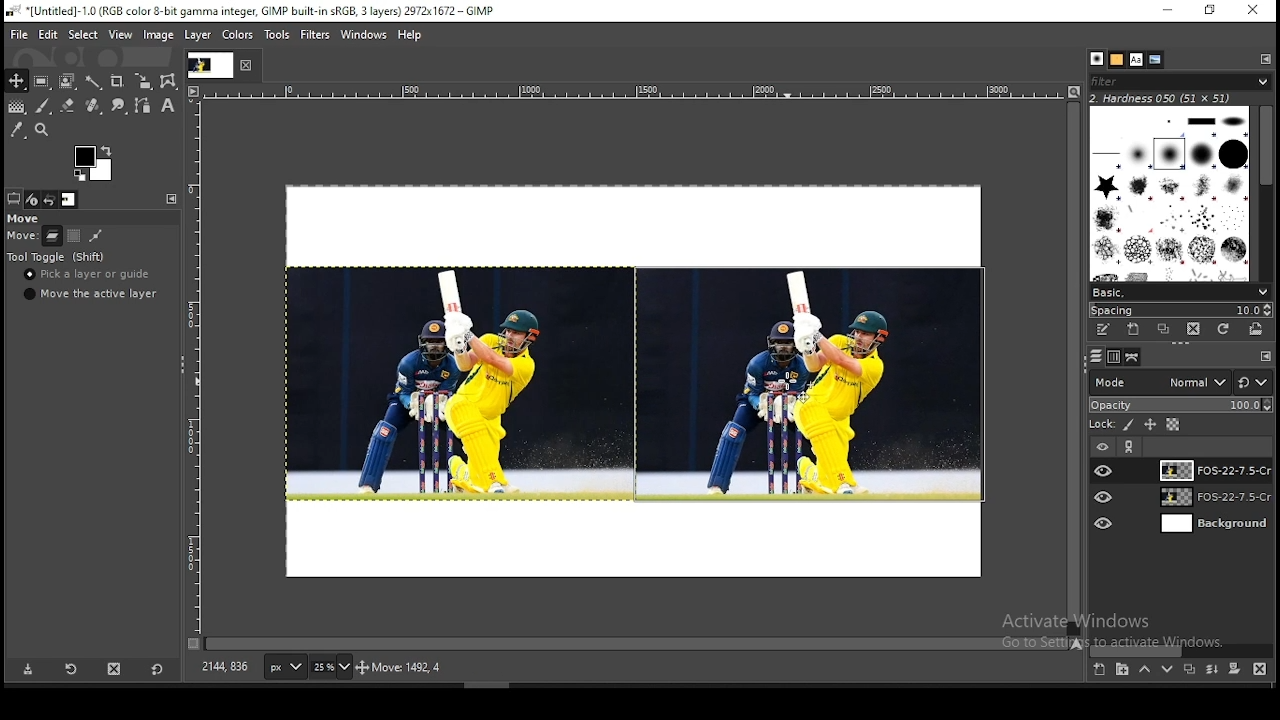 The height and width of the screenshot is (720, 1280). Describe the element at coordinates (84, 36) in the screenshot. I see `select` at that location.